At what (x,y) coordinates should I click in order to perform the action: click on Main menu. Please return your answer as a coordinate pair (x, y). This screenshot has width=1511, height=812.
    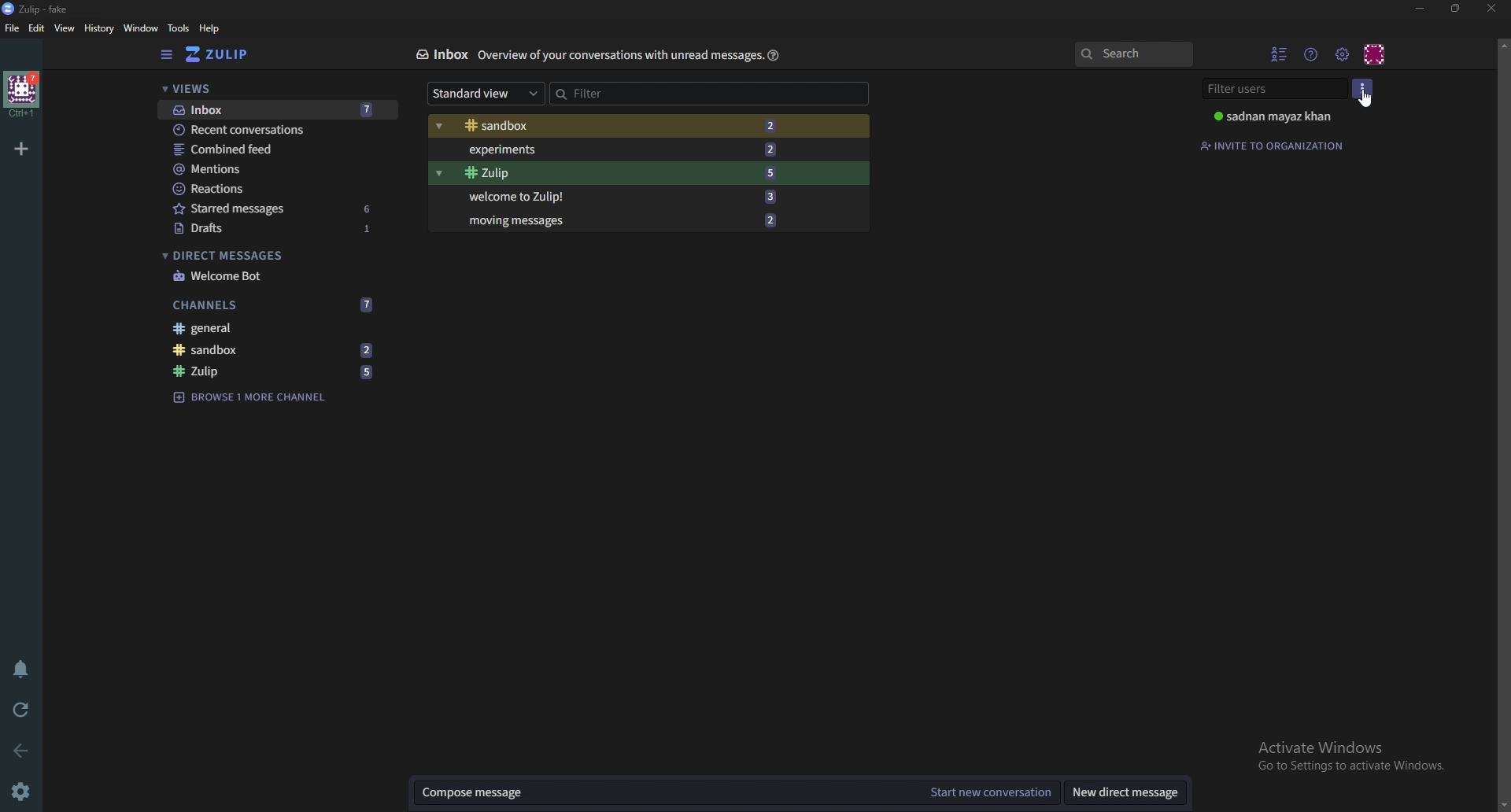
    Looking at the image, I should click on (1341, 53).